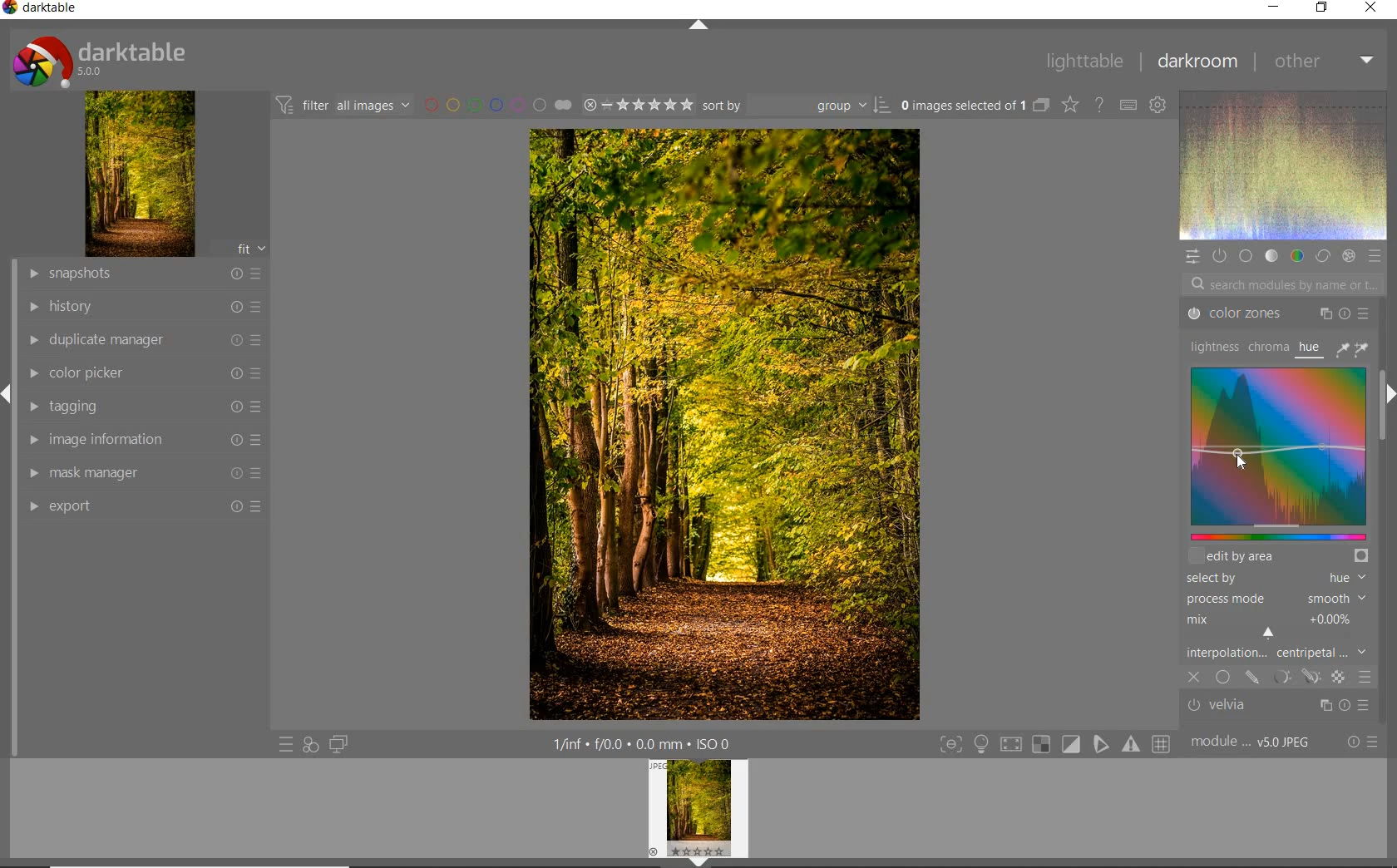 The height and width of the screenshot is (868, 1397). I want to click on OTHER, so click(1325, 61).